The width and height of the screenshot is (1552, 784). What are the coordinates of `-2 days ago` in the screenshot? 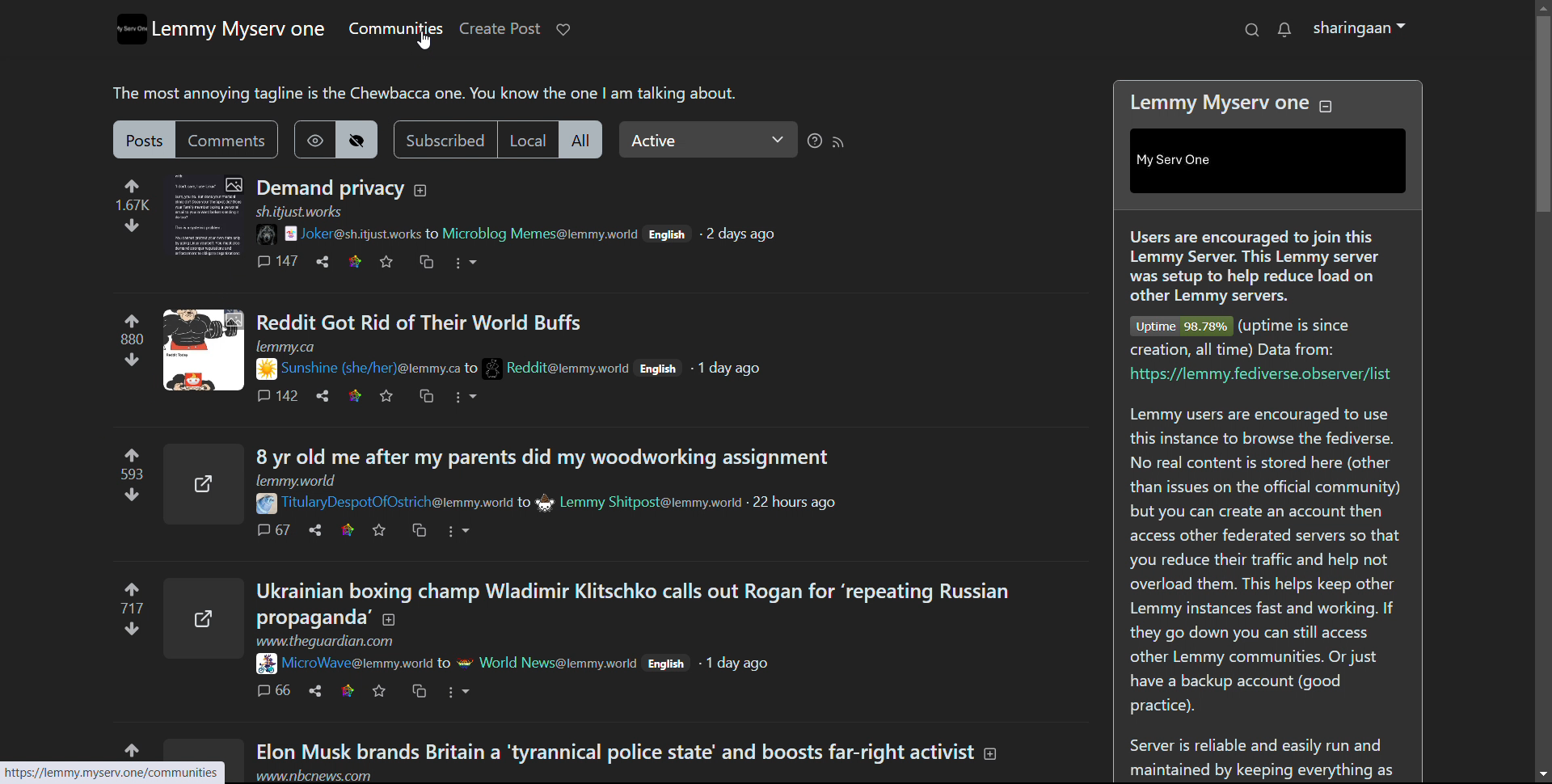 It's located at (743, 234).